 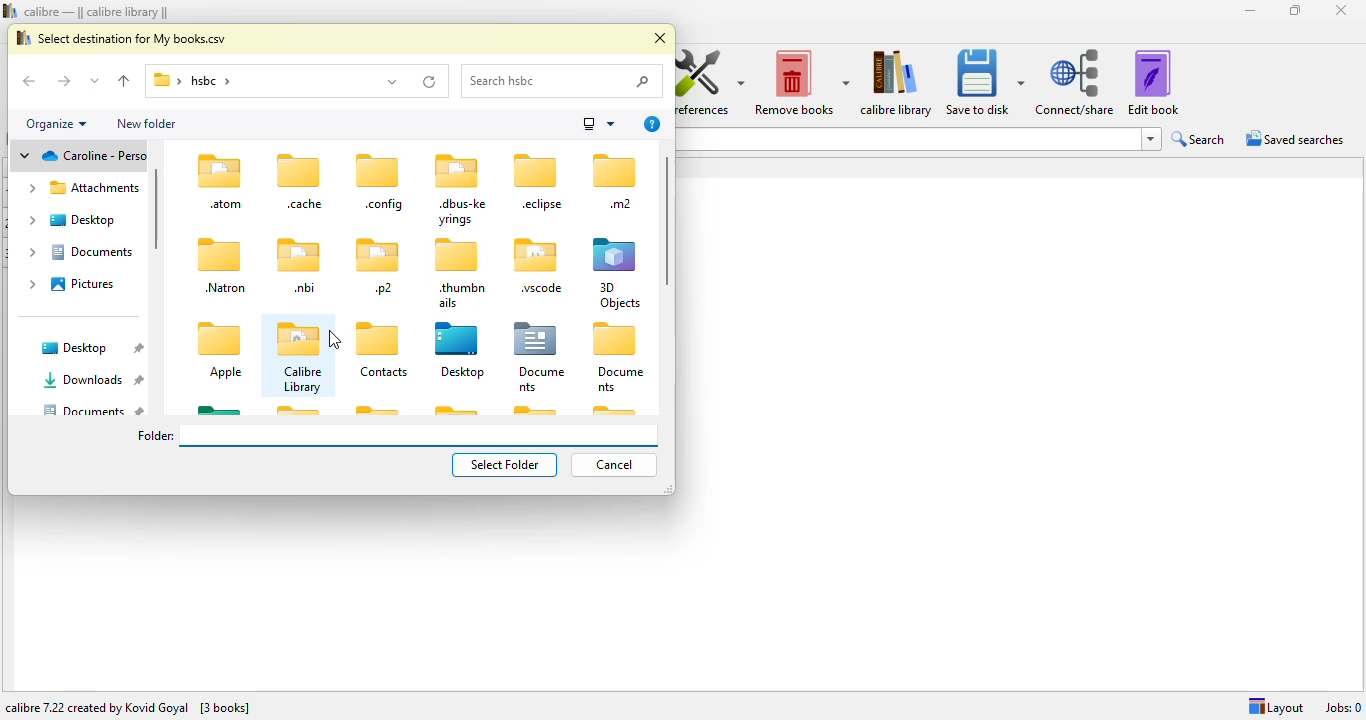 I want to click on vertical scroll bar, so click(x=155, y=209).